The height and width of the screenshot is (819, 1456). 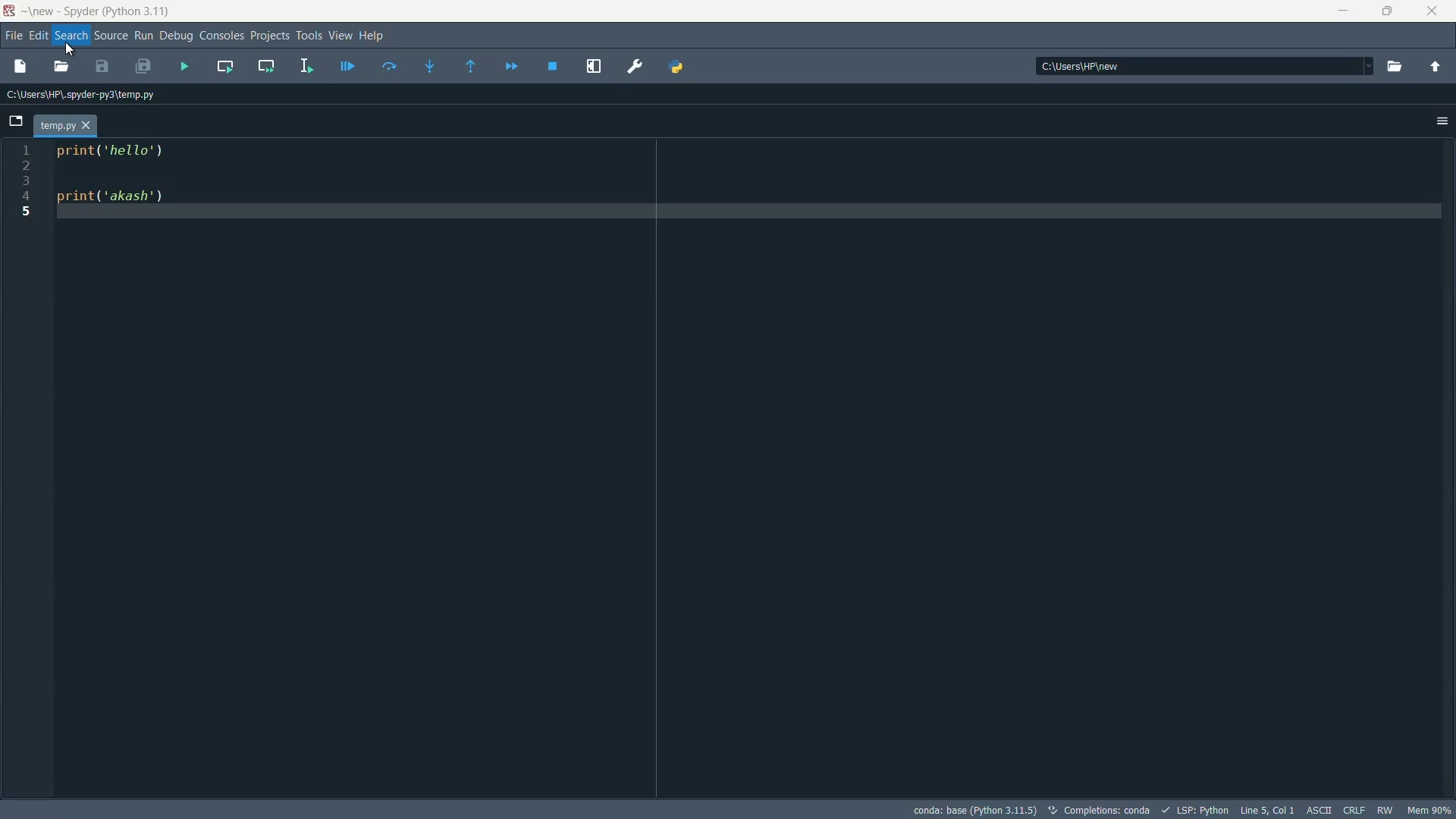 What do you see at coordinates (1354, 810) in the screenshot?
I see `CRLF` at bounding box center [1354, 810].